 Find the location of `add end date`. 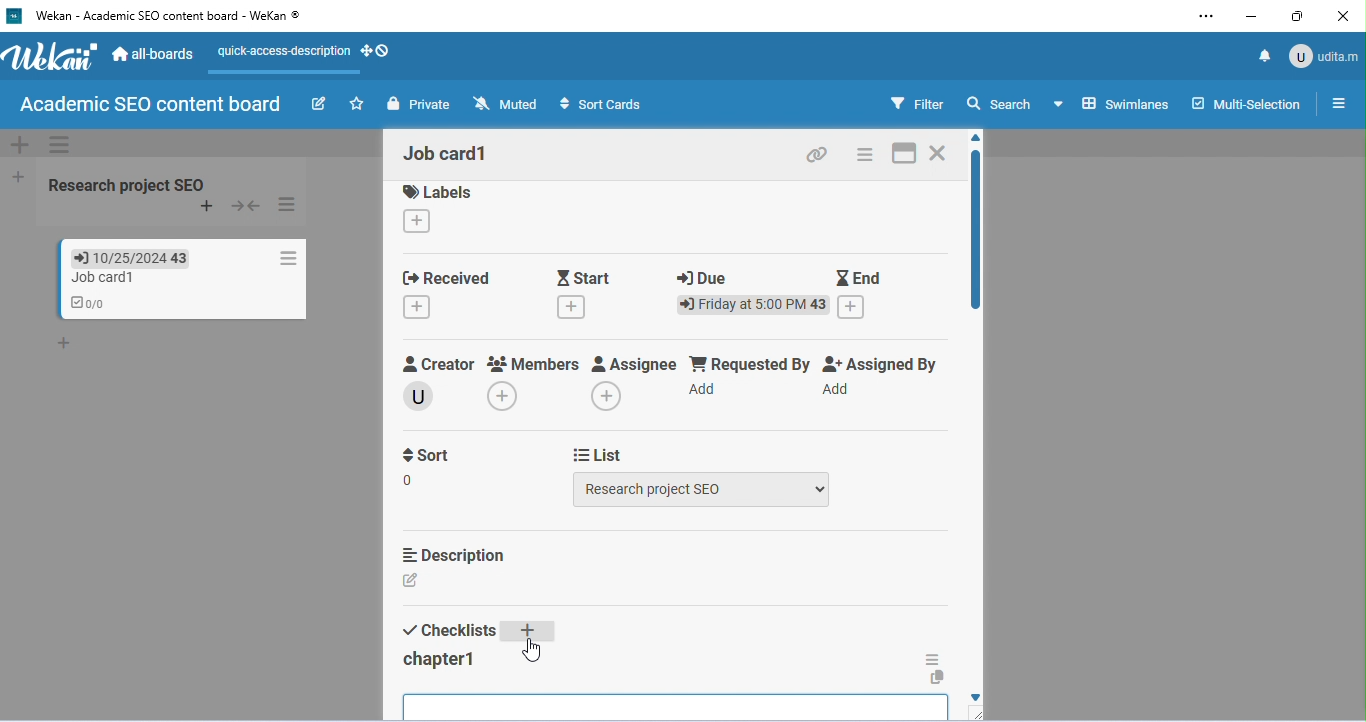

add end date is located at coordinates (853, 308).